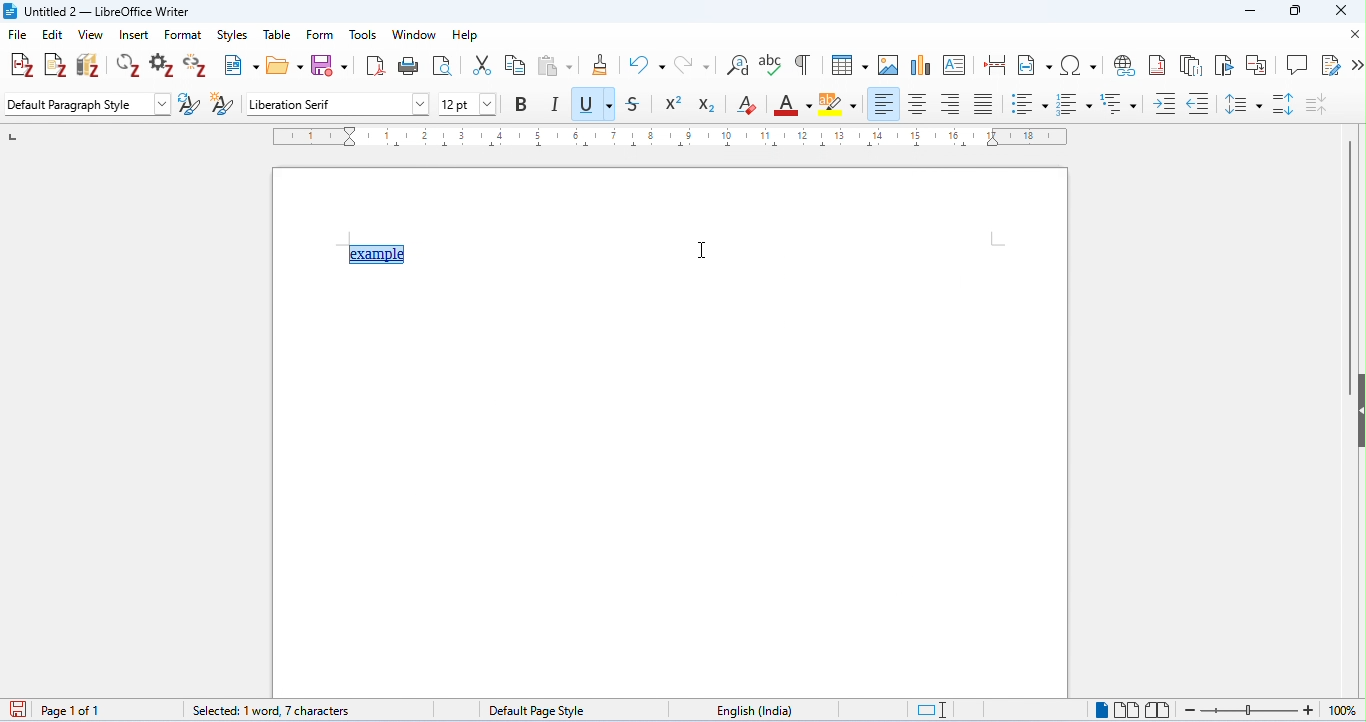  Describe the element at coordinates (647, 65) in the screenshot. I see `undo` at that location.